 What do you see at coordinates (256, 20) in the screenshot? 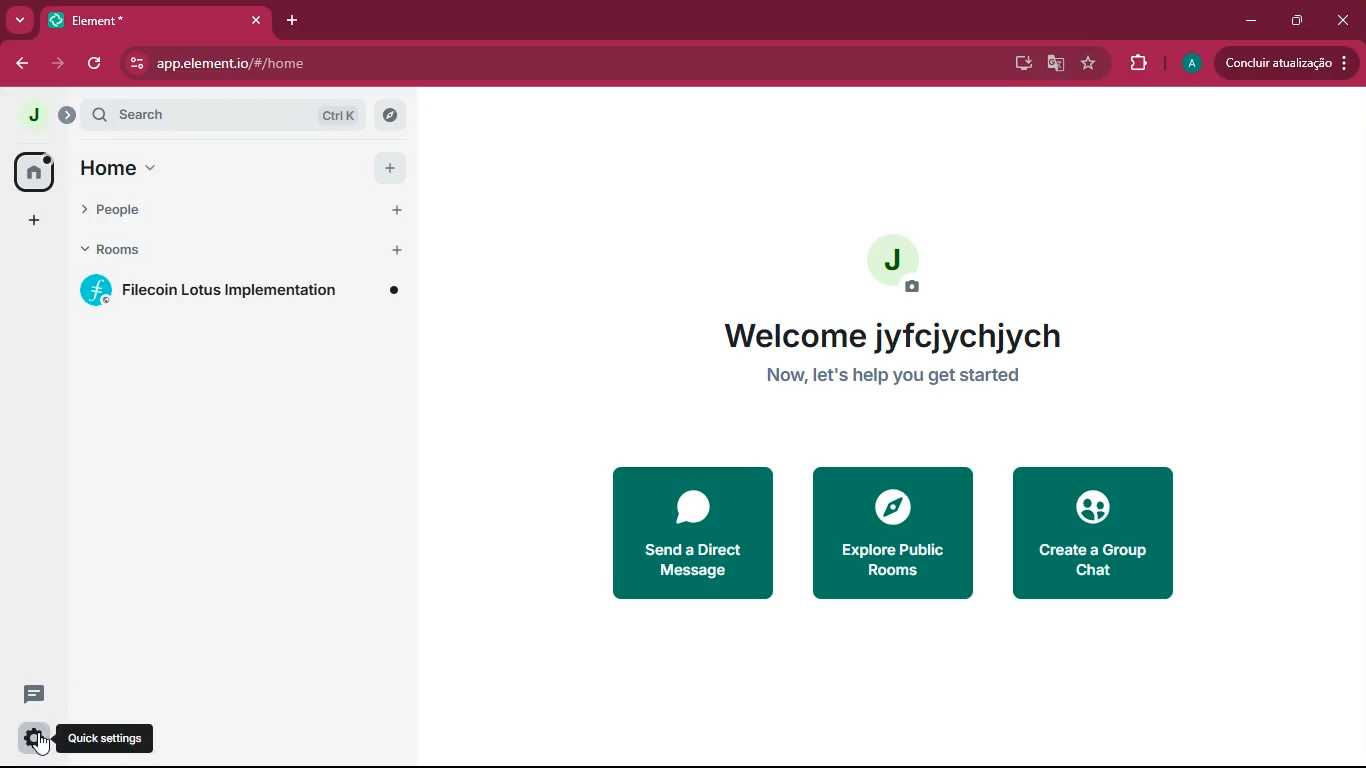
I see `close tab` at bounding box center [256, 20].